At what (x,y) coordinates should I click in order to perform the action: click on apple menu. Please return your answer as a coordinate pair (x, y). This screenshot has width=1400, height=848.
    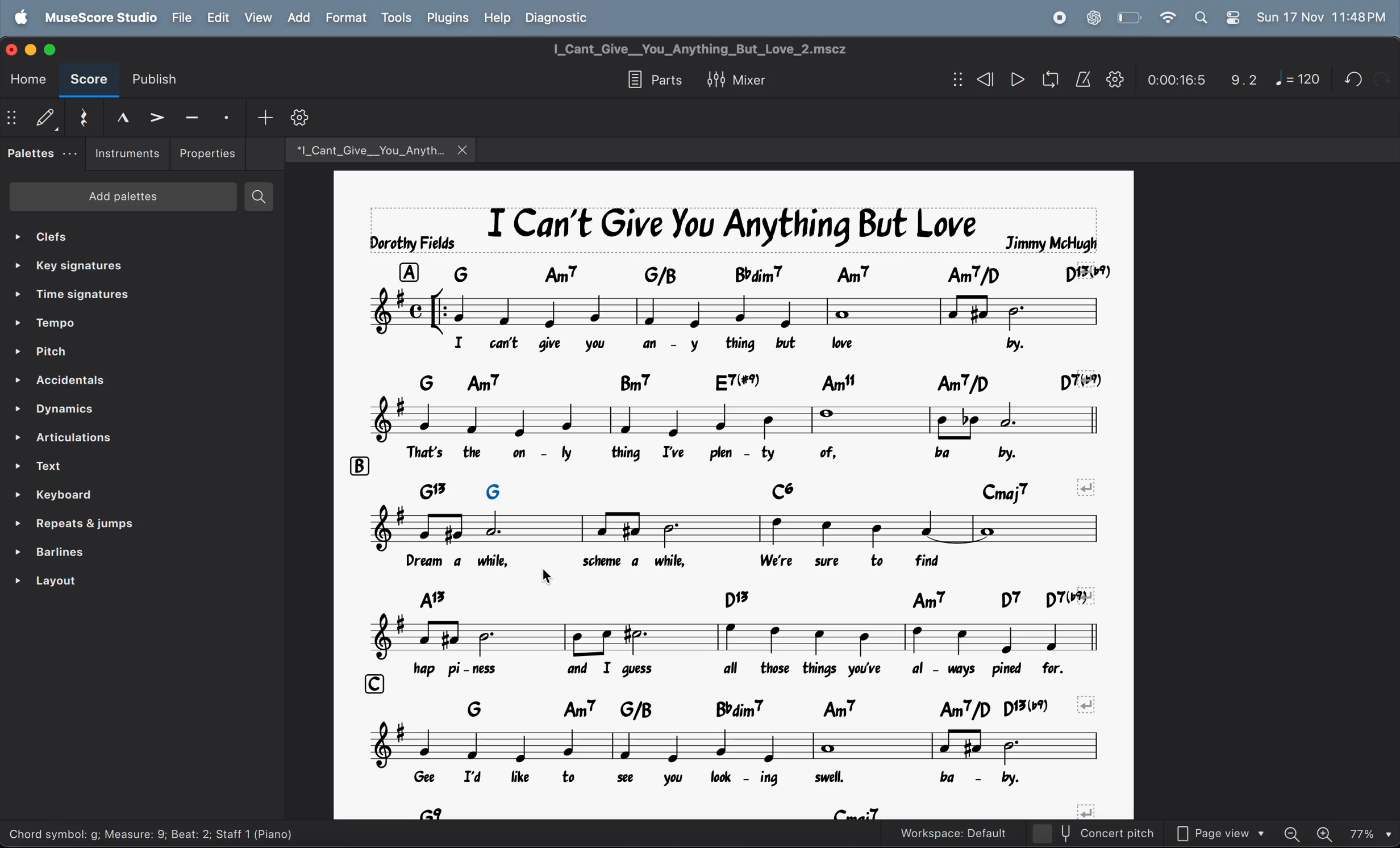
    Looking at the image, I should click on (20, 17).